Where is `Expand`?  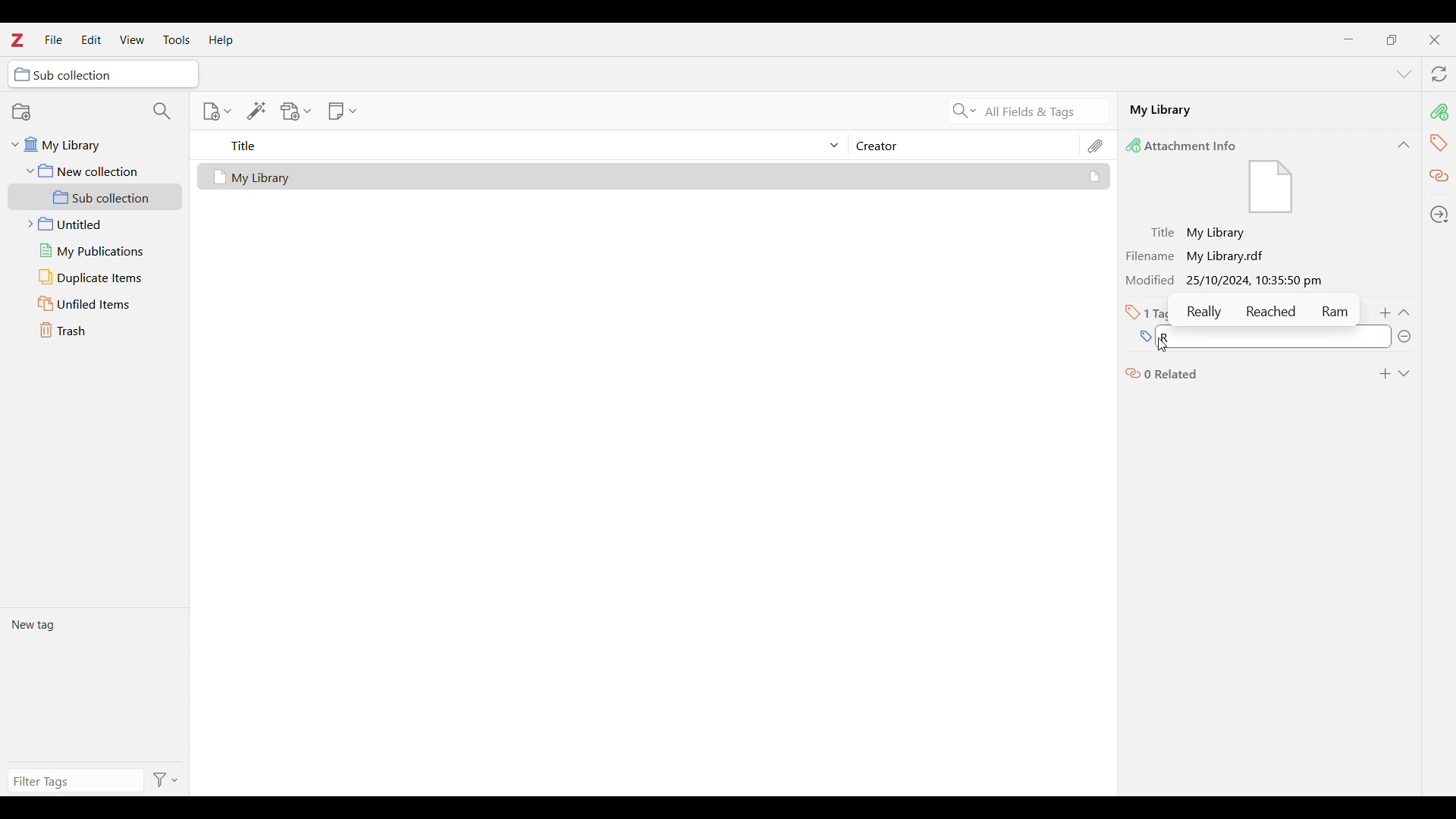 Expand is located at coordinates (1404, 374).